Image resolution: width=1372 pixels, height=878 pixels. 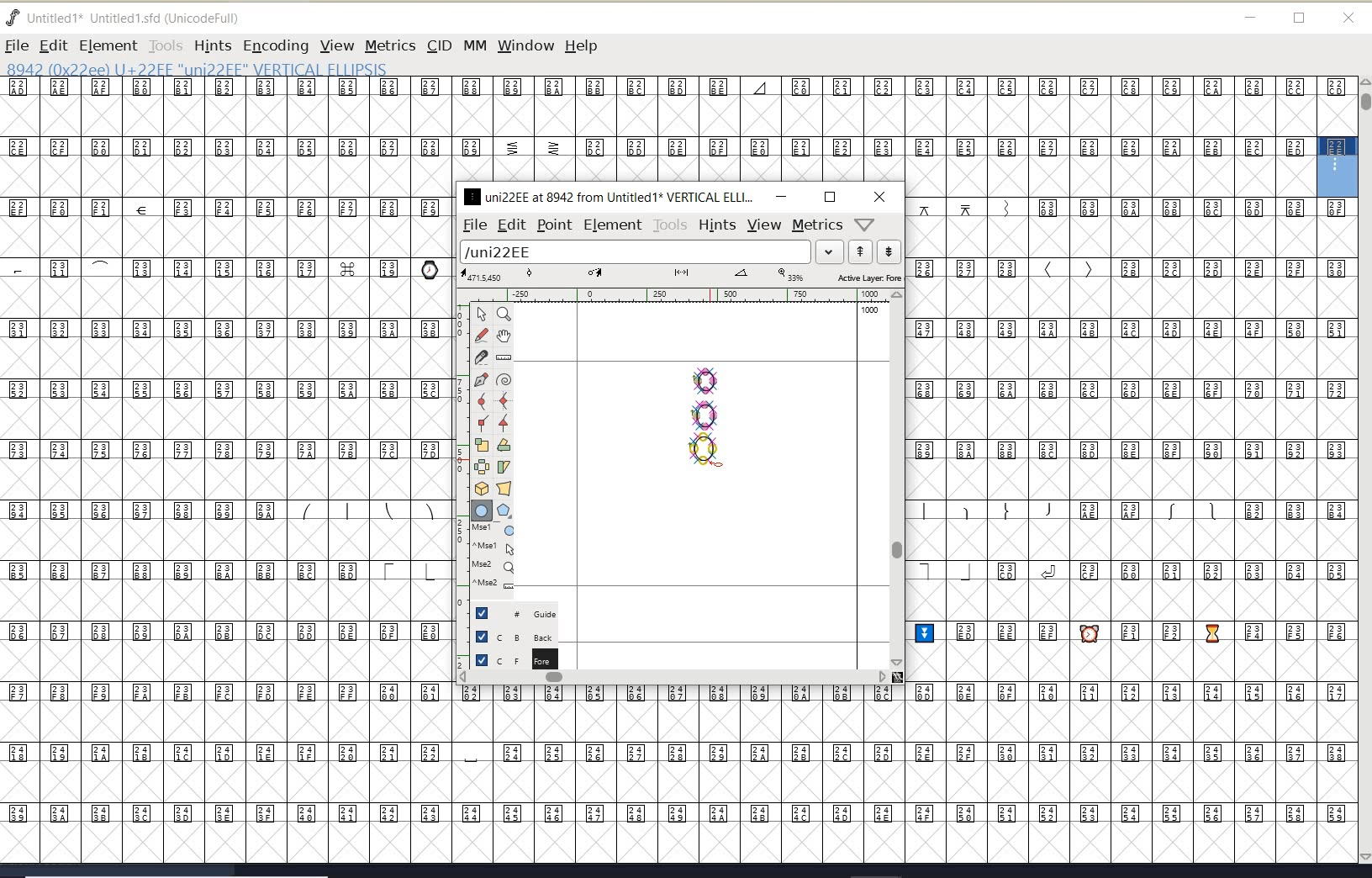 What do you see at coordinates (1348, 19) in the screenshot?
I see `close` at bounding box center [1348, 19].